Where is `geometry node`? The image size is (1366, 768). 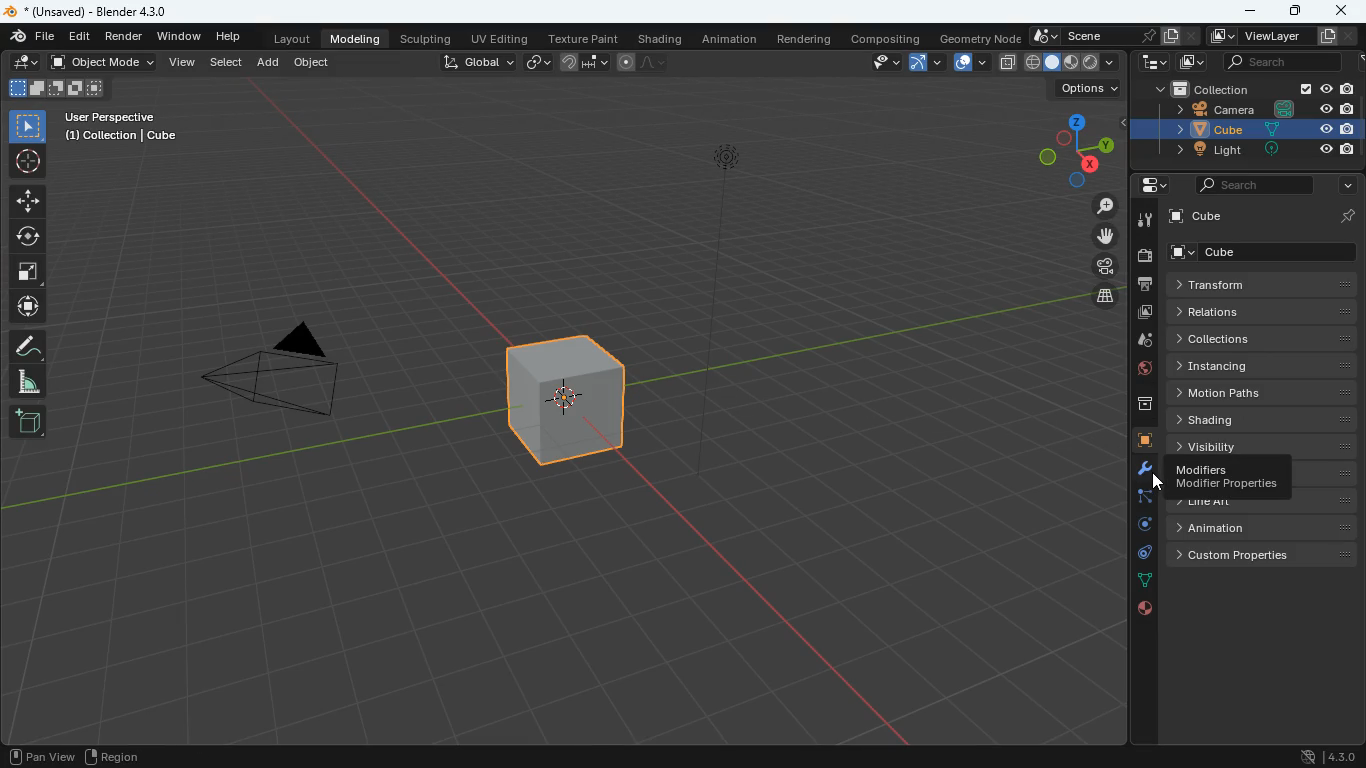 geometry node is located at coordinates (982, 38).